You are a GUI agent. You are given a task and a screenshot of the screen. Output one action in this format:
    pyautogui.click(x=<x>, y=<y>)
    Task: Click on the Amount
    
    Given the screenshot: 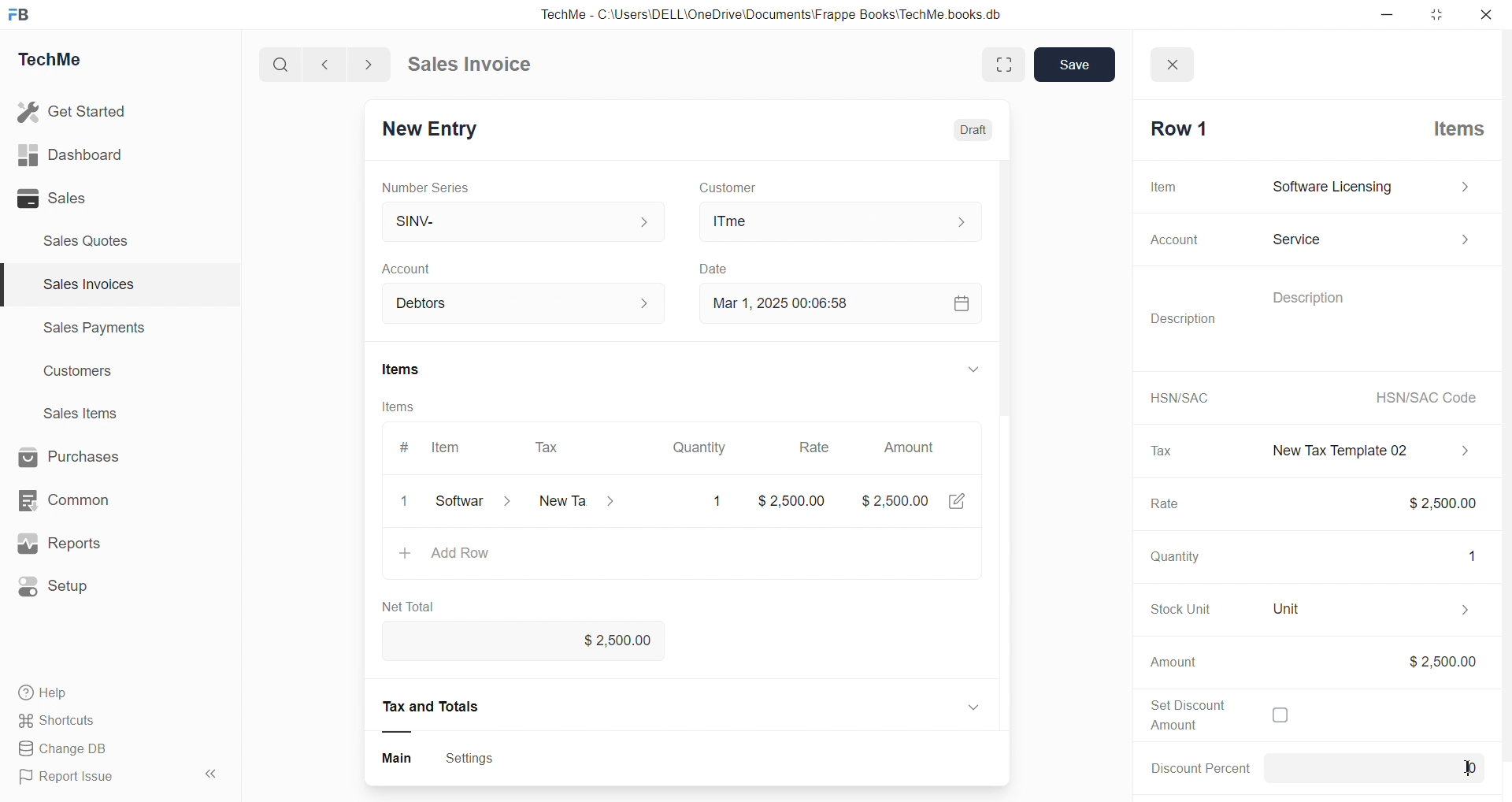 What is the action you would take?
    pyautogui.click(x=1173, y=663)
    